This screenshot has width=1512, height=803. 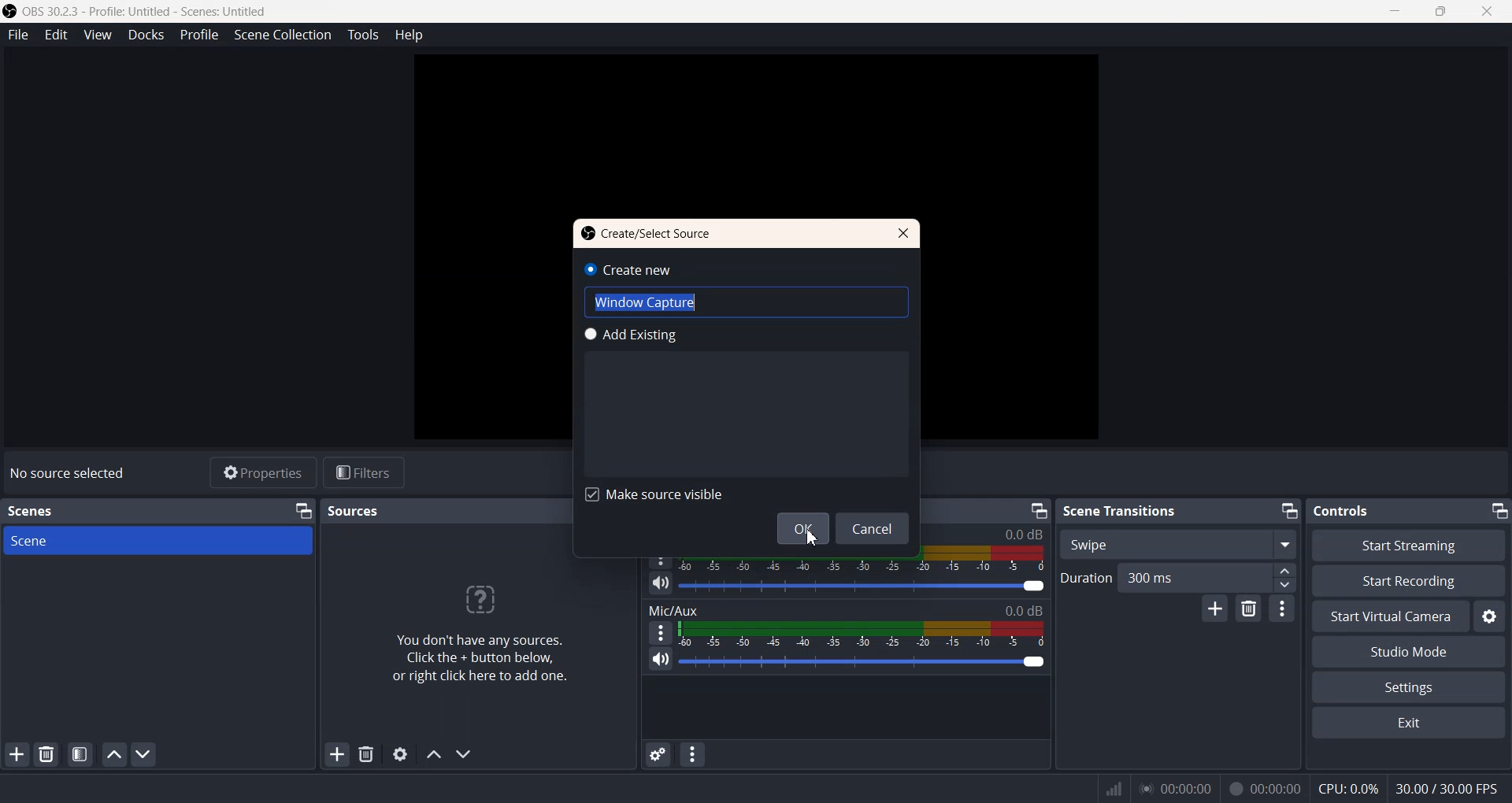 What do you see at coordinates (400, 753) in the screenshot?
I see `Open source properties` at bounding box center [400, 753].